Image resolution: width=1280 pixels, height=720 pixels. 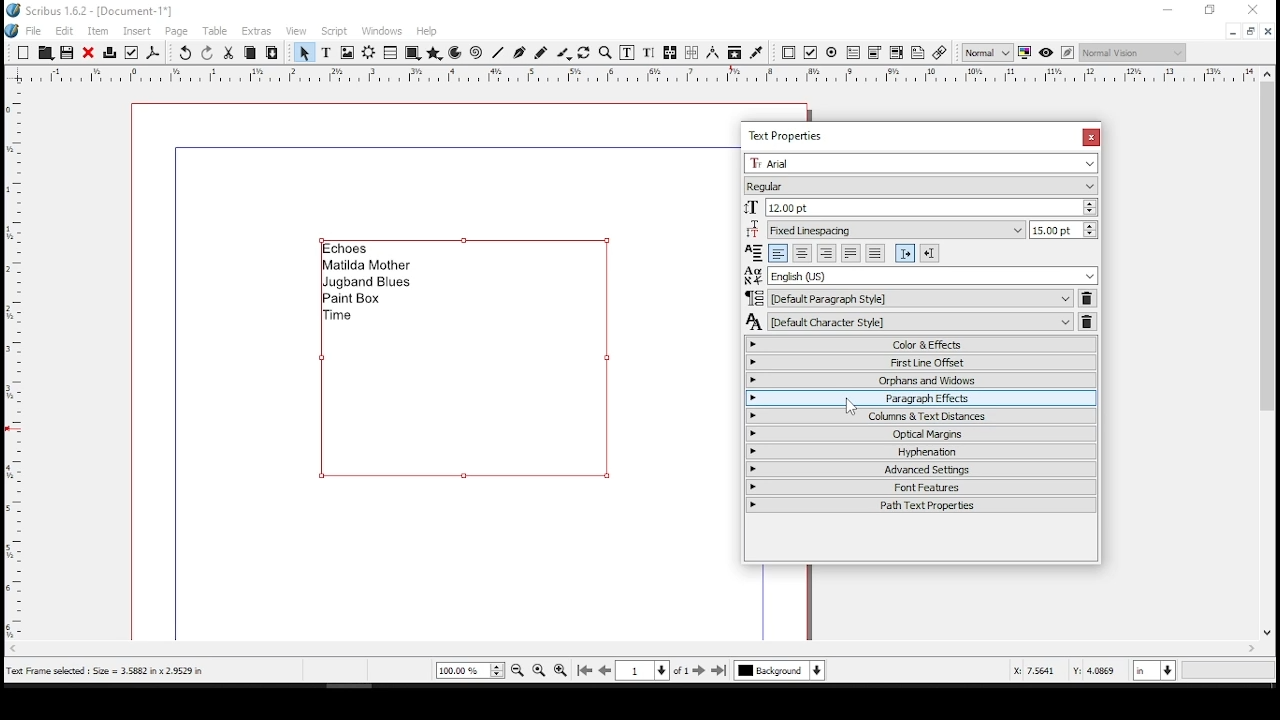 I want to click on preview mode, so click(x=1046, y=51).